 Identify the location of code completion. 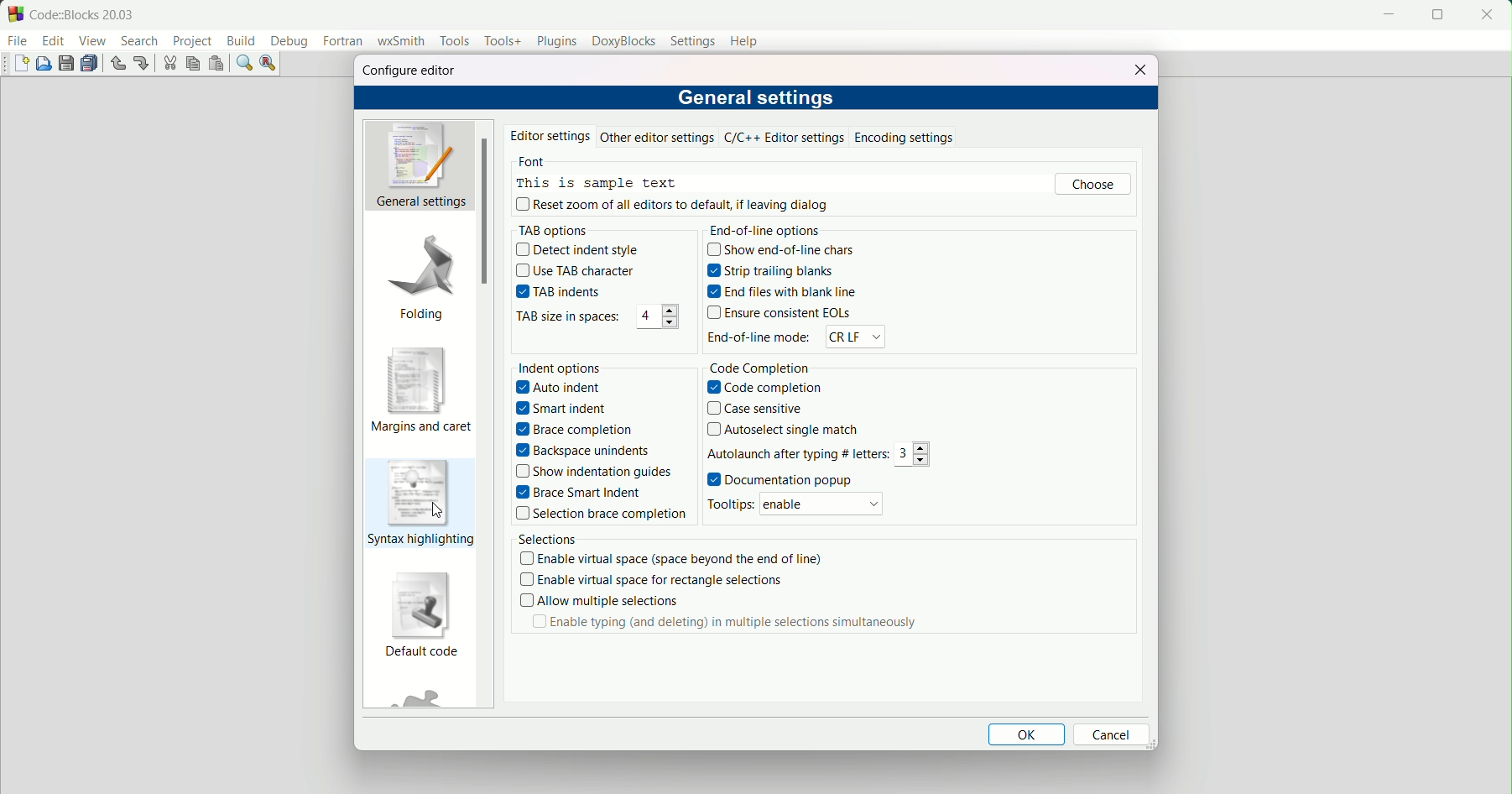
(764, 388).